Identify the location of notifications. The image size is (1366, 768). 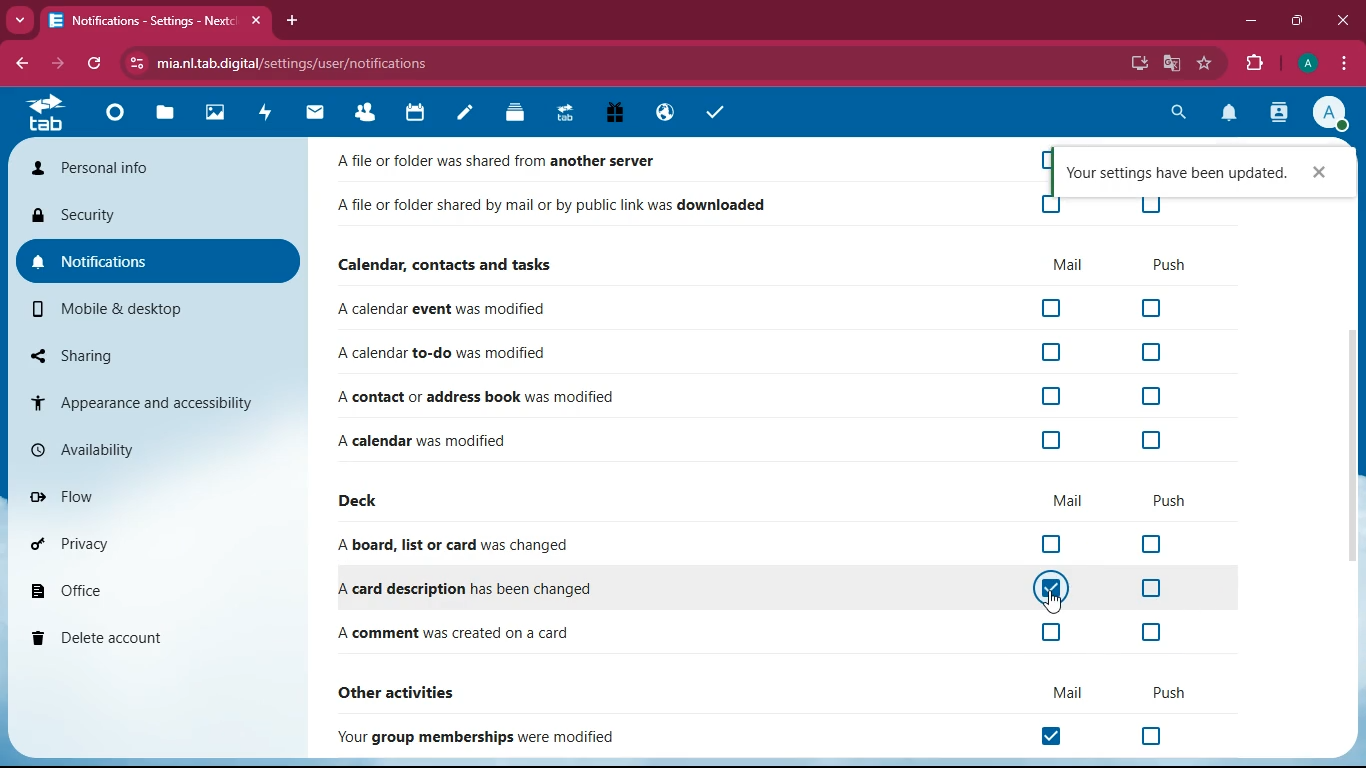
(159, 263).